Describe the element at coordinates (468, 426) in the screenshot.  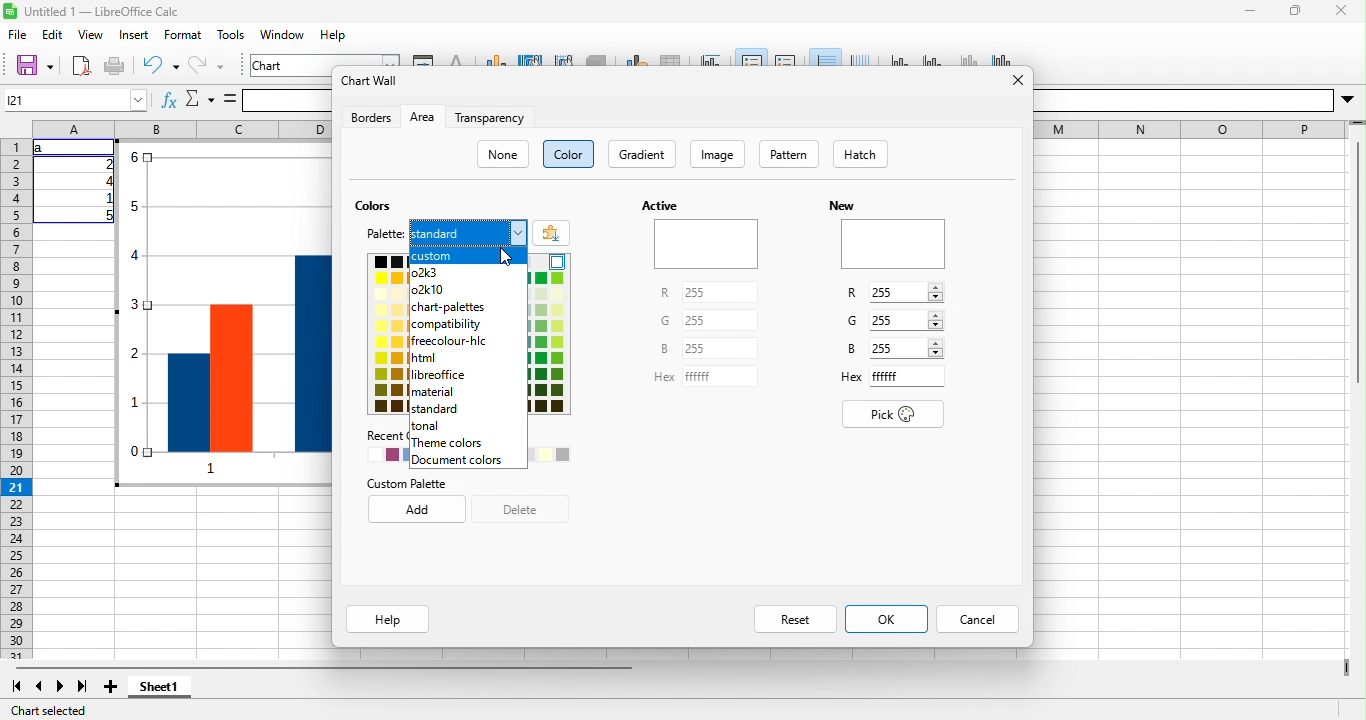
I see `tonal` at that location.